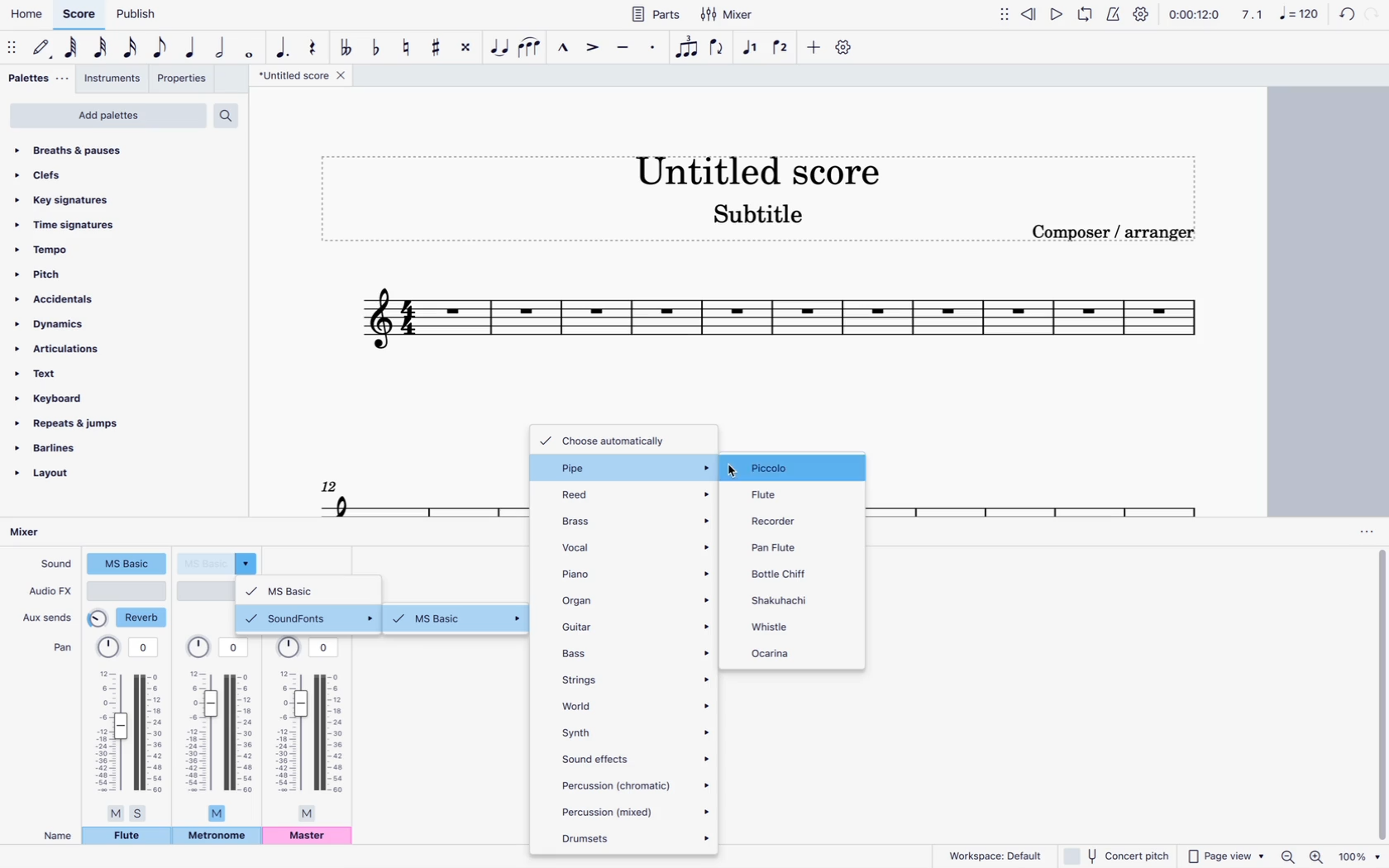 The height and width of the screenshot is (868, 1389). Describe the element at coordinates (740, 469) in the screenshot. I see `cursor` at that location.